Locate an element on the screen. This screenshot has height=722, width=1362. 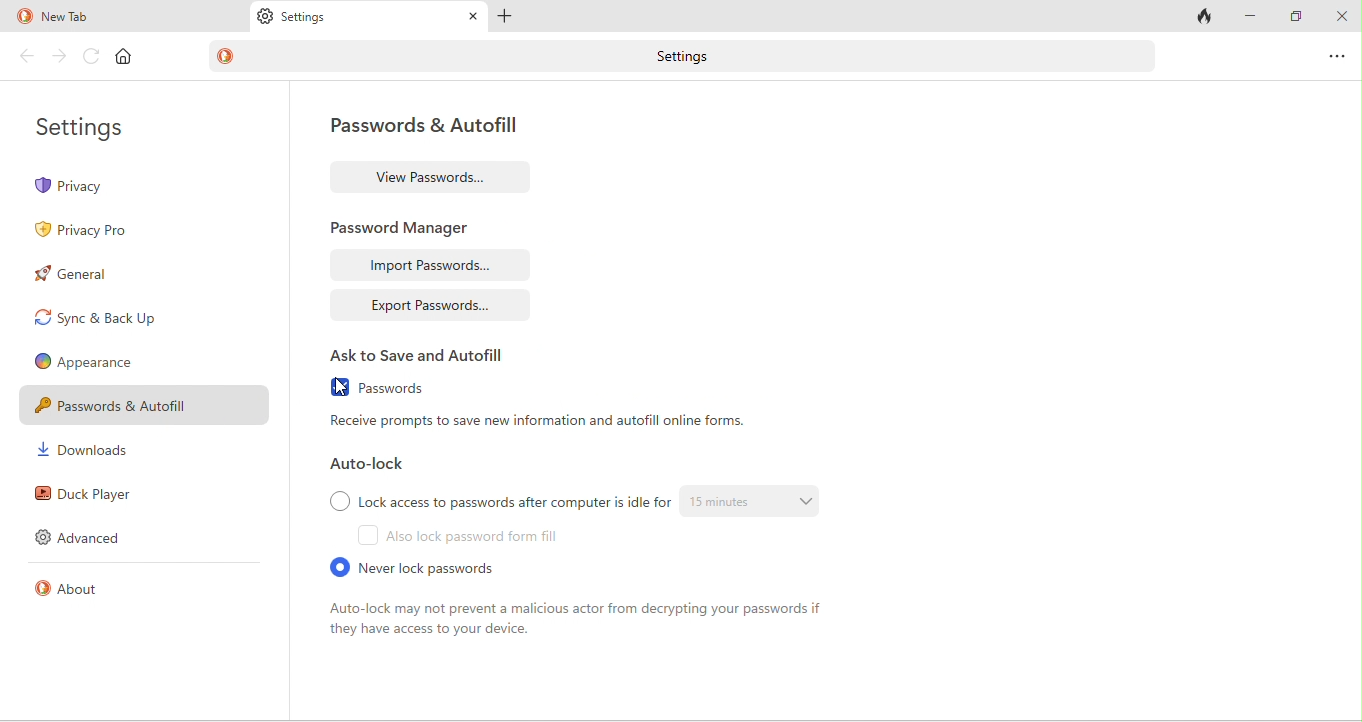
privacy is located at coordinates (93, 187).